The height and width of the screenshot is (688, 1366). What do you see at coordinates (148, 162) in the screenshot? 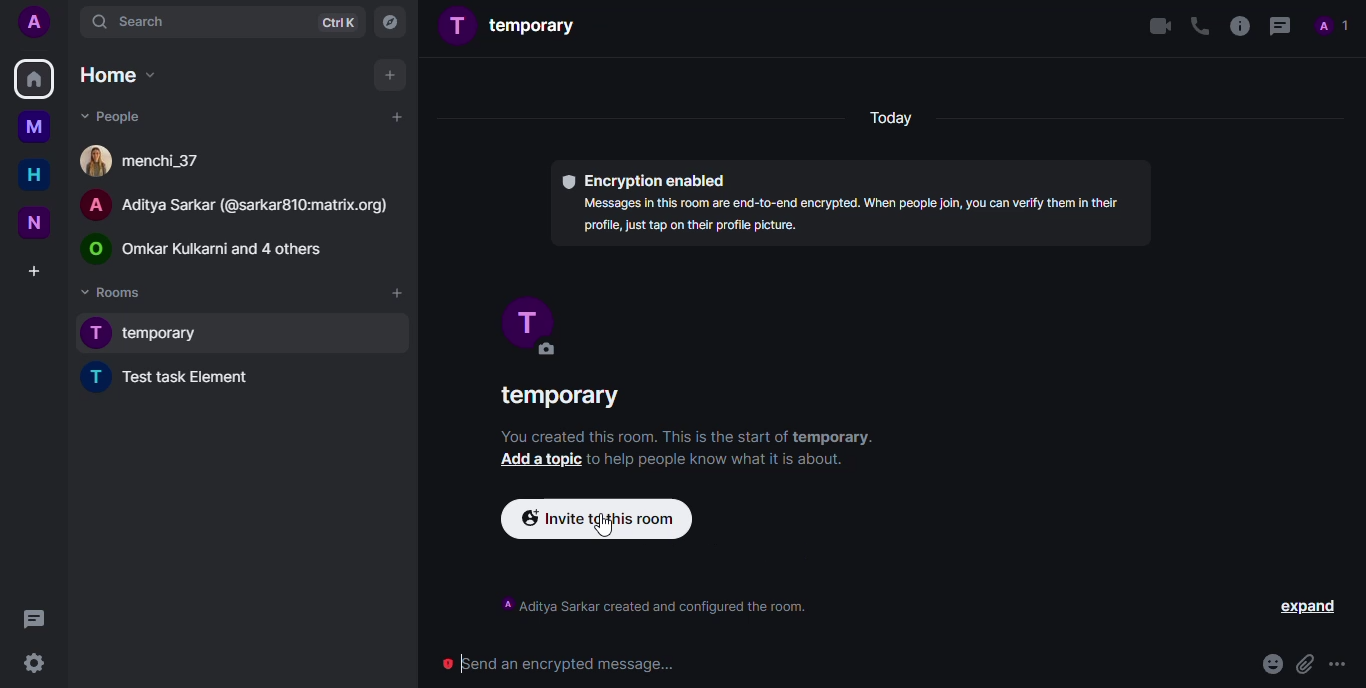
I see `(6) menchi_37` at bounding box center [148, 162].